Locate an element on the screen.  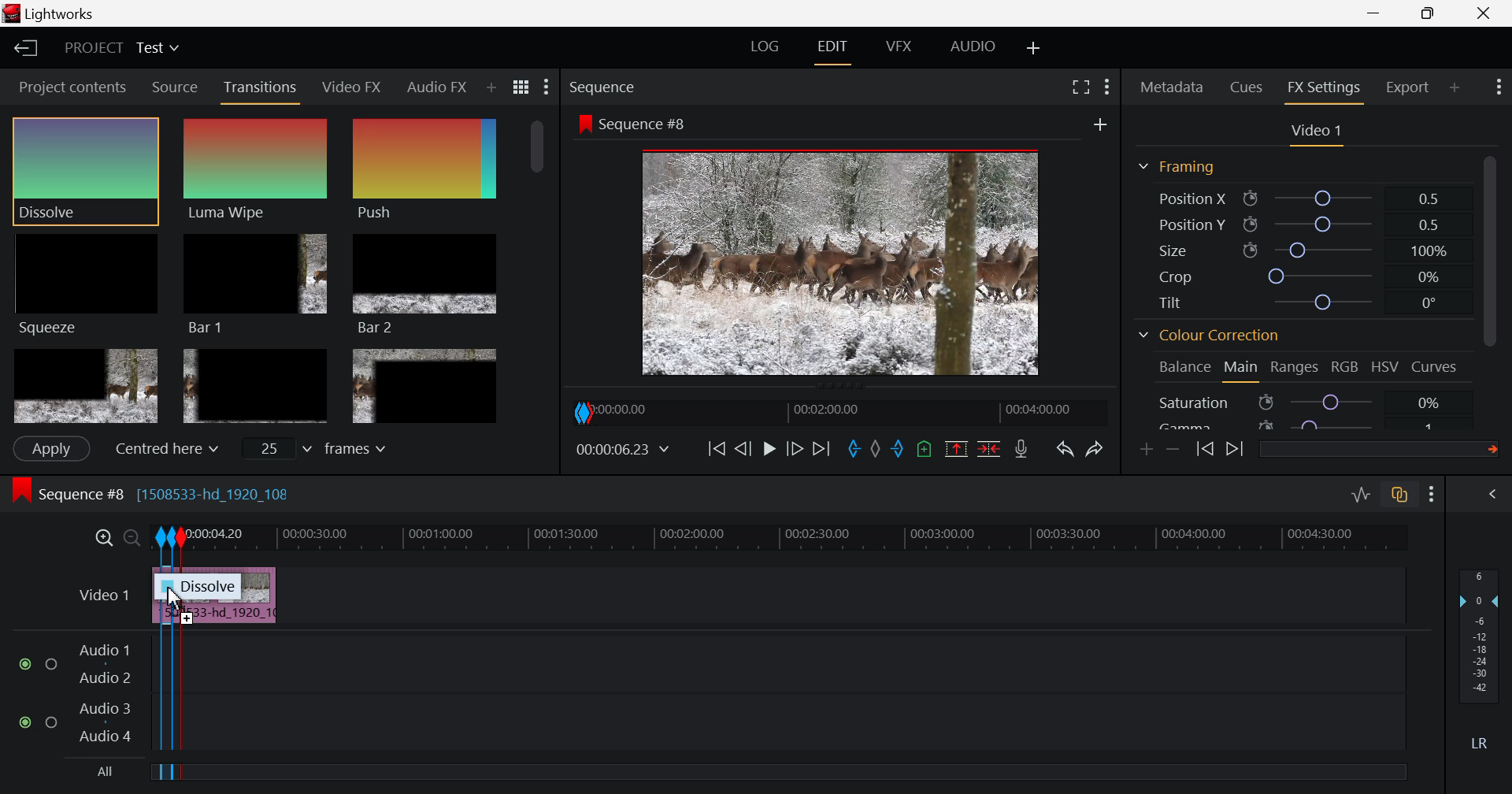
Tilt is located at coordinates (1303, 304).